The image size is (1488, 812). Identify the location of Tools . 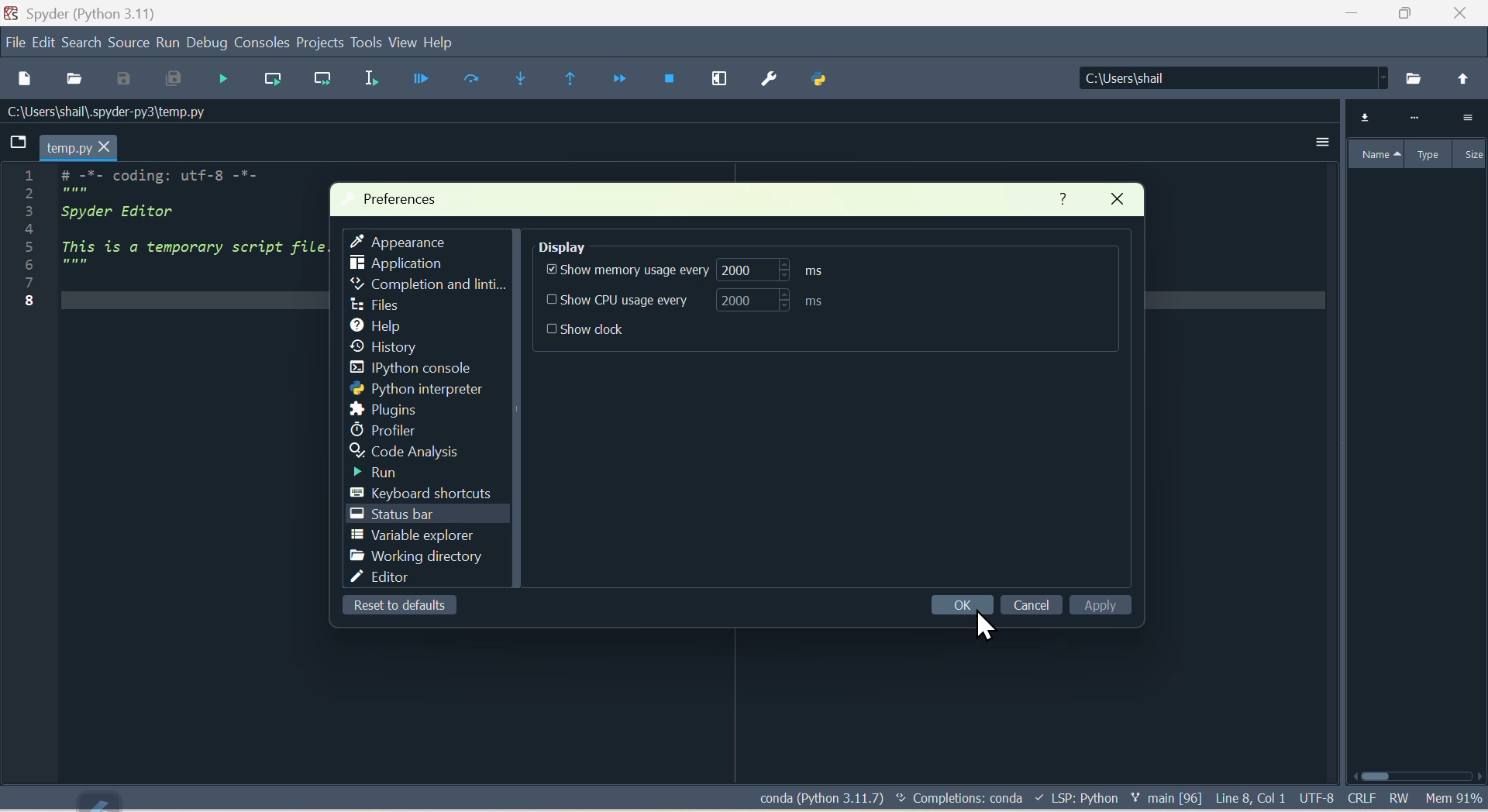
(367, 43).